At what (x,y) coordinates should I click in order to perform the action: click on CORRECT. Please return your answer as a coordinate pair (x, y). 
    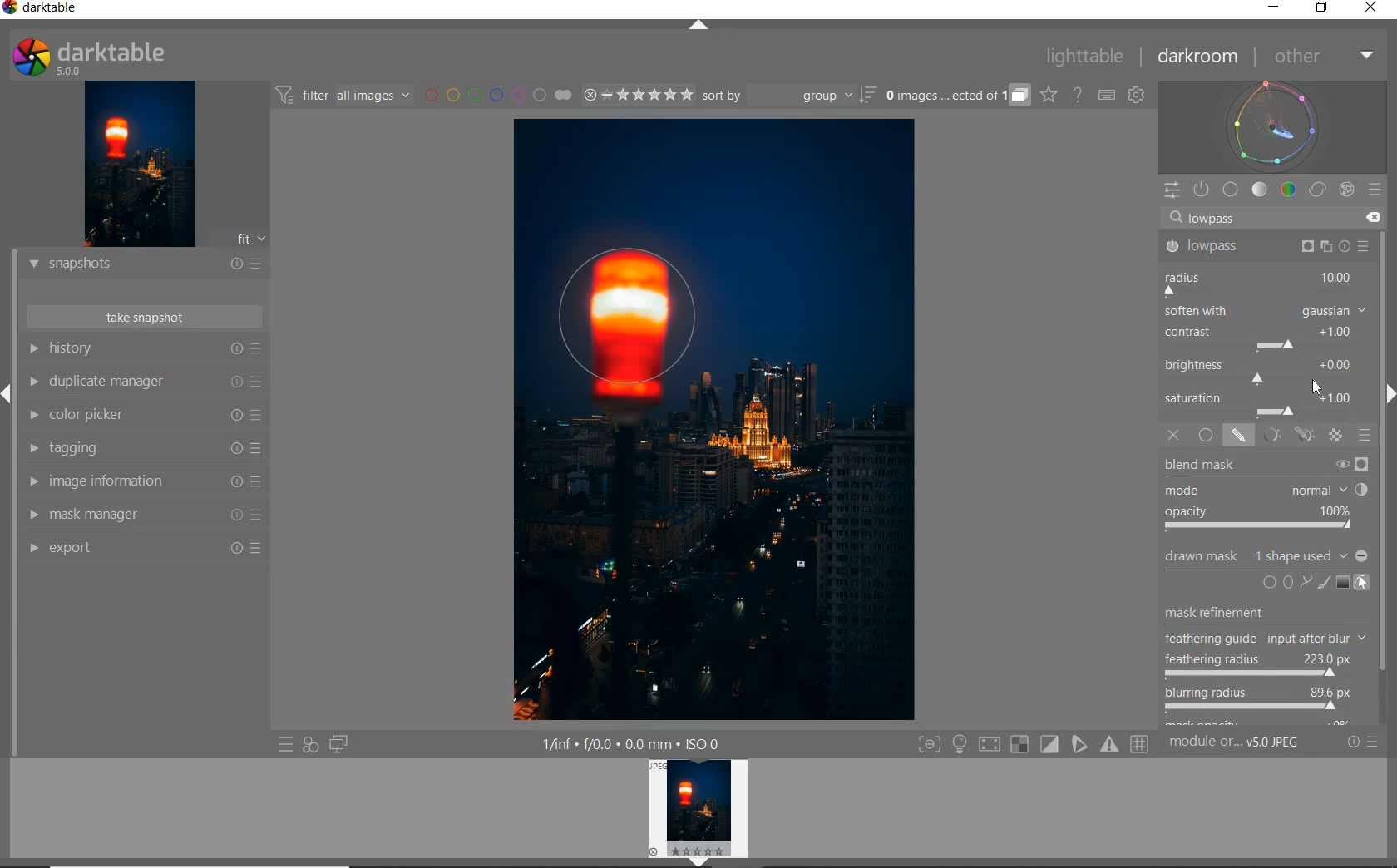
    Looking at the image, I should click on (1317, 190).